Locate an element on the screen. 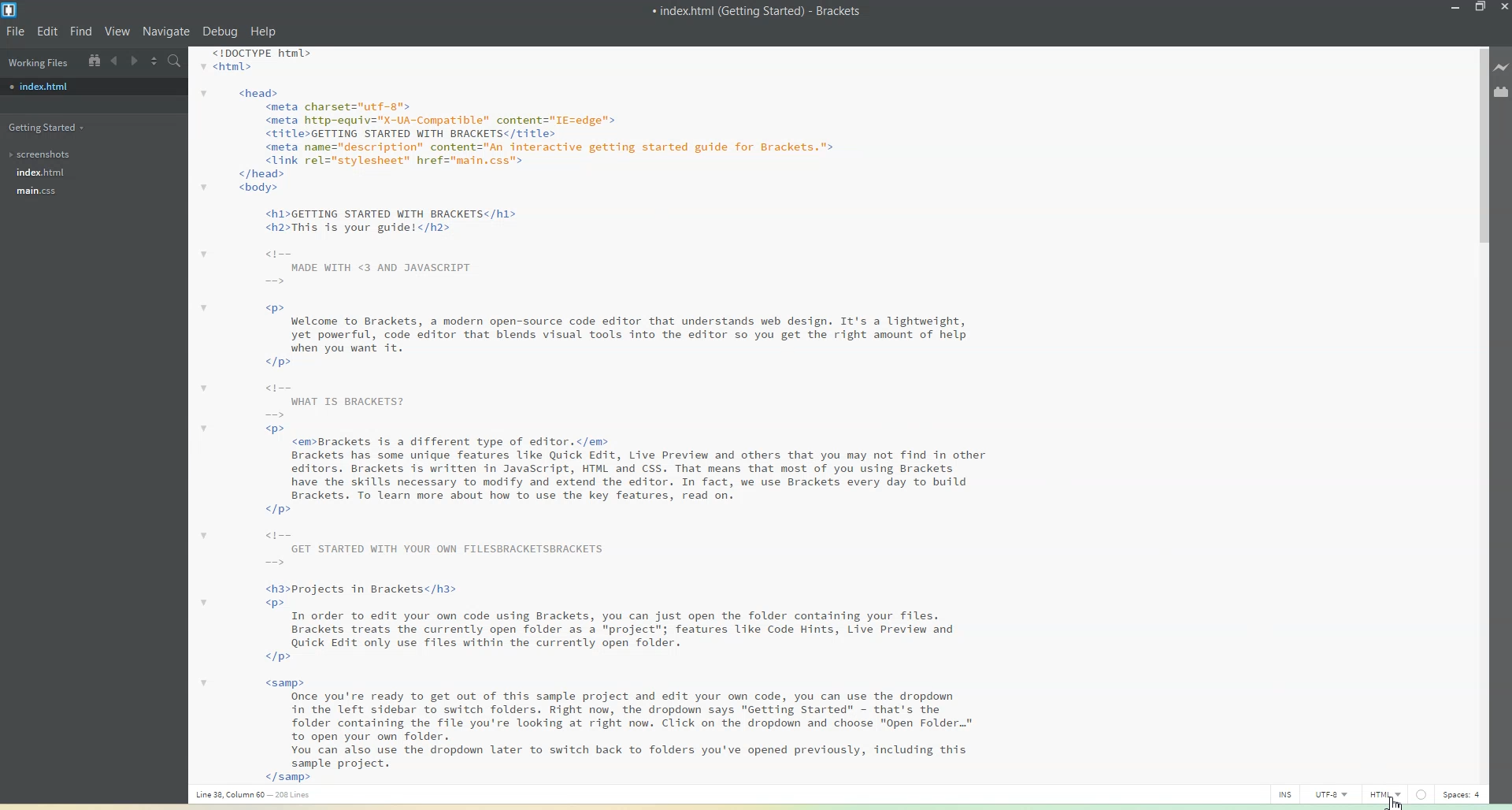 This screenshot has width=1512, height=810. Navigate Backward is located at coordinates (115, 61).